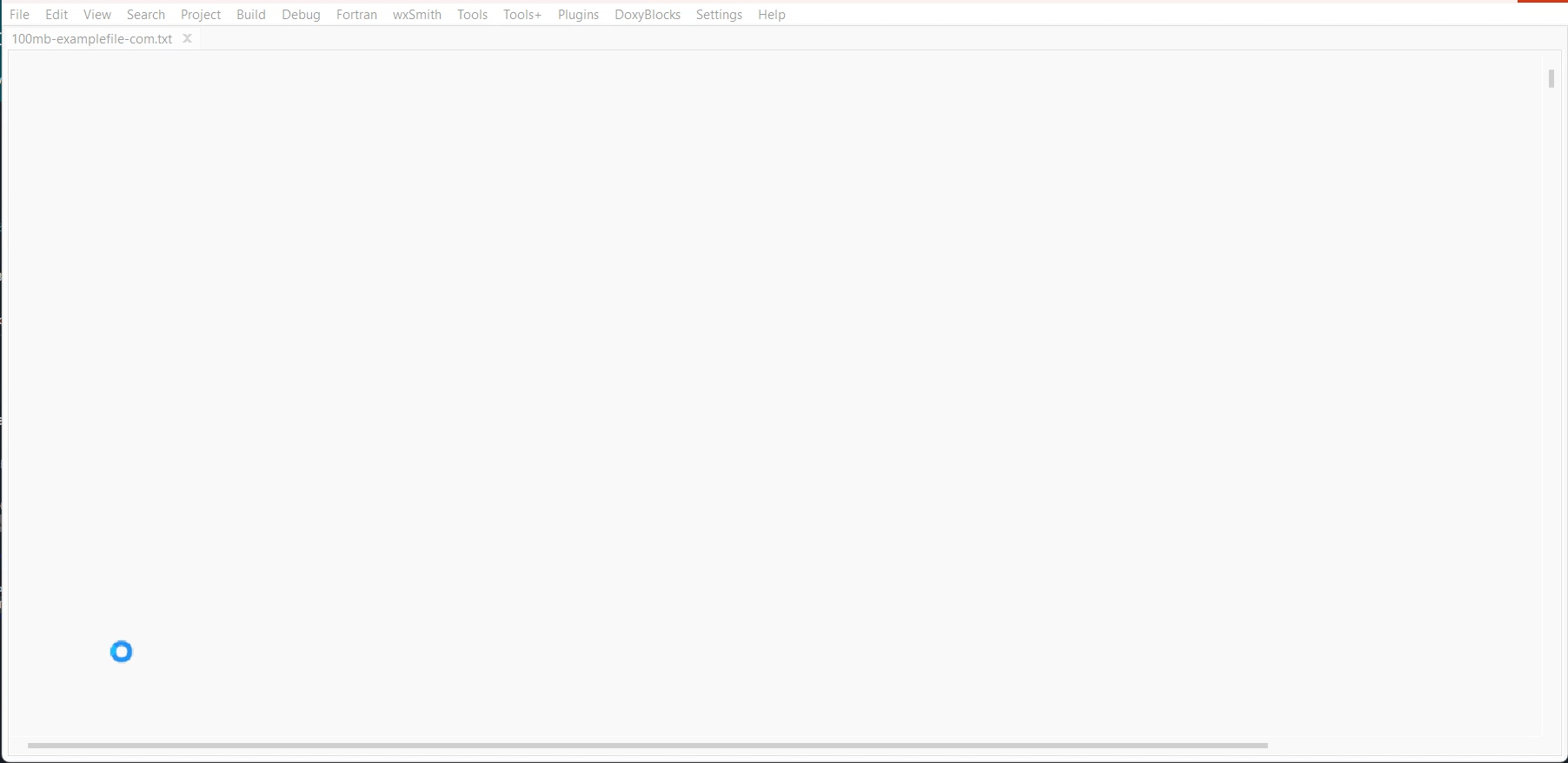 The height and width of the screenshot is (763, 1568). Describe the element at coordinates (145, 14) in the screenshot. I see `Search` at that location.